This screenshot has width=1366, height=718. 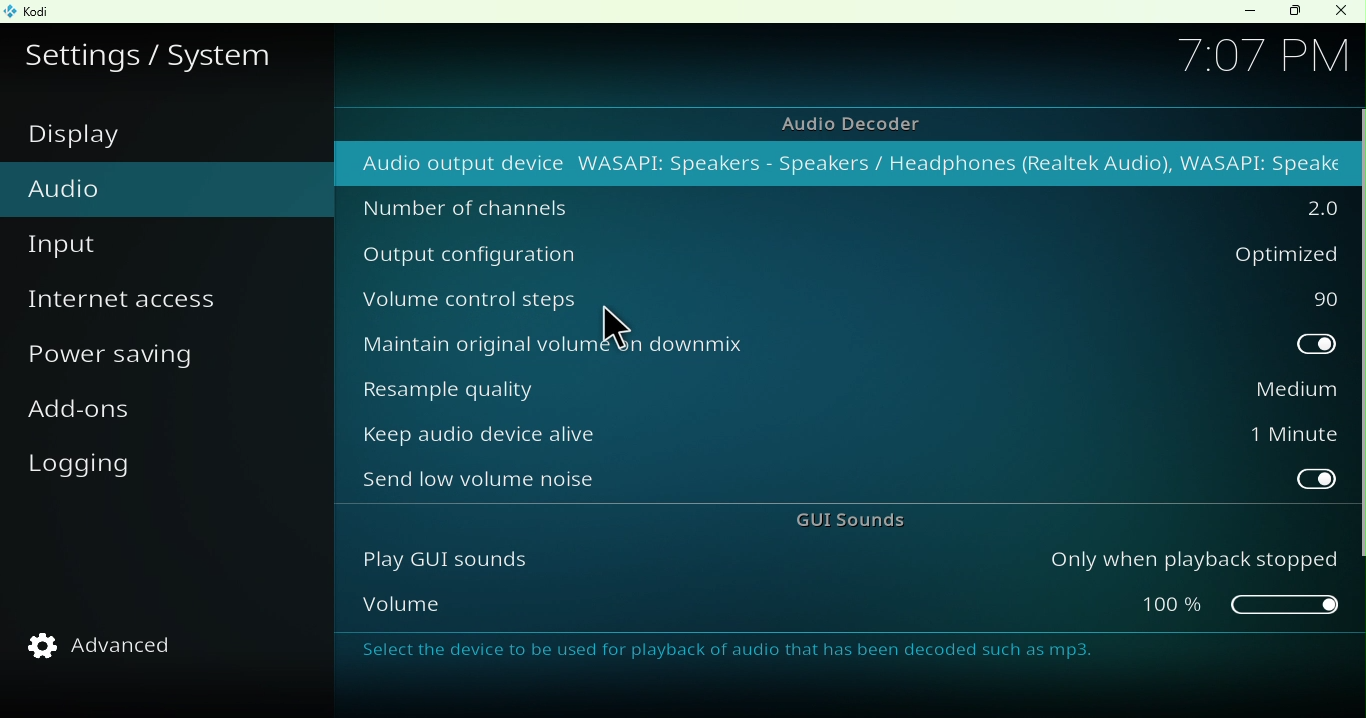 What do you see at coordinates (115, 139) in the screenshot?
I see `Display` at bounding box center [115, 139].